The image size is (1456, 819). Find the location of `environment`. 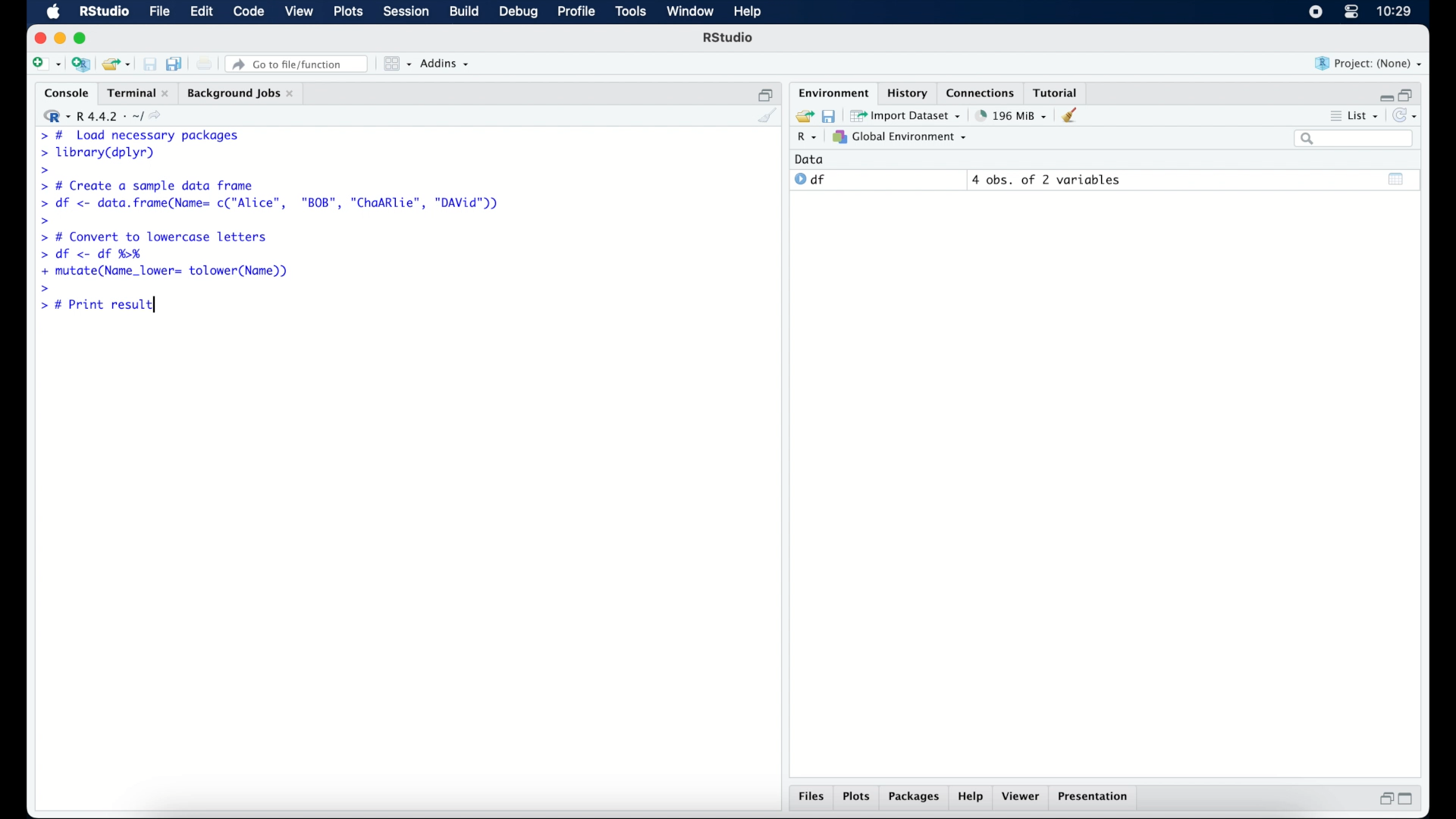

environment is located at coordinates (831, 92).